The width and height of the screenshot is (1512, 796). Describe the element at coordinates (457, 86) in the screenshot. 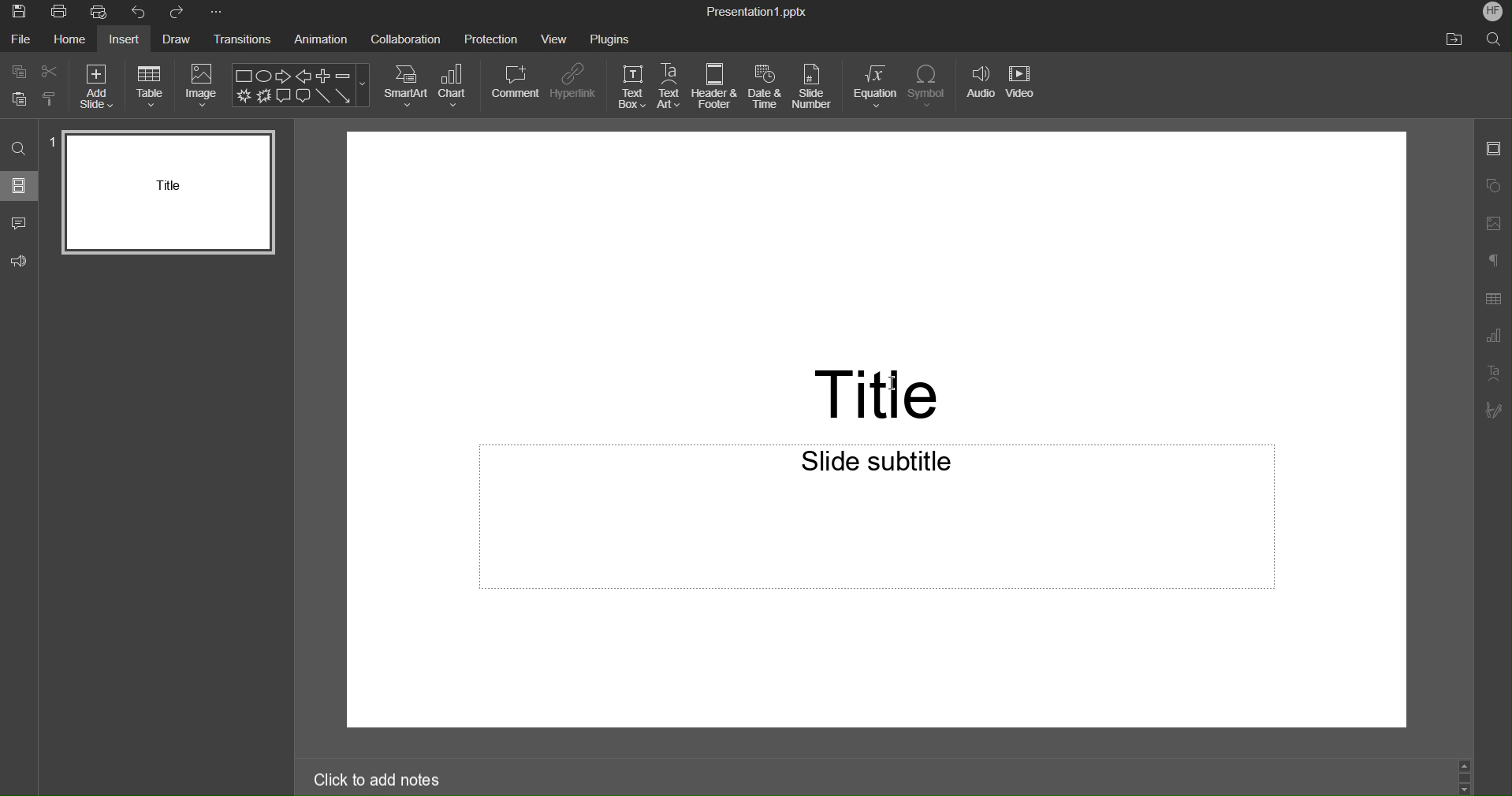

I see `Chart` at that location.